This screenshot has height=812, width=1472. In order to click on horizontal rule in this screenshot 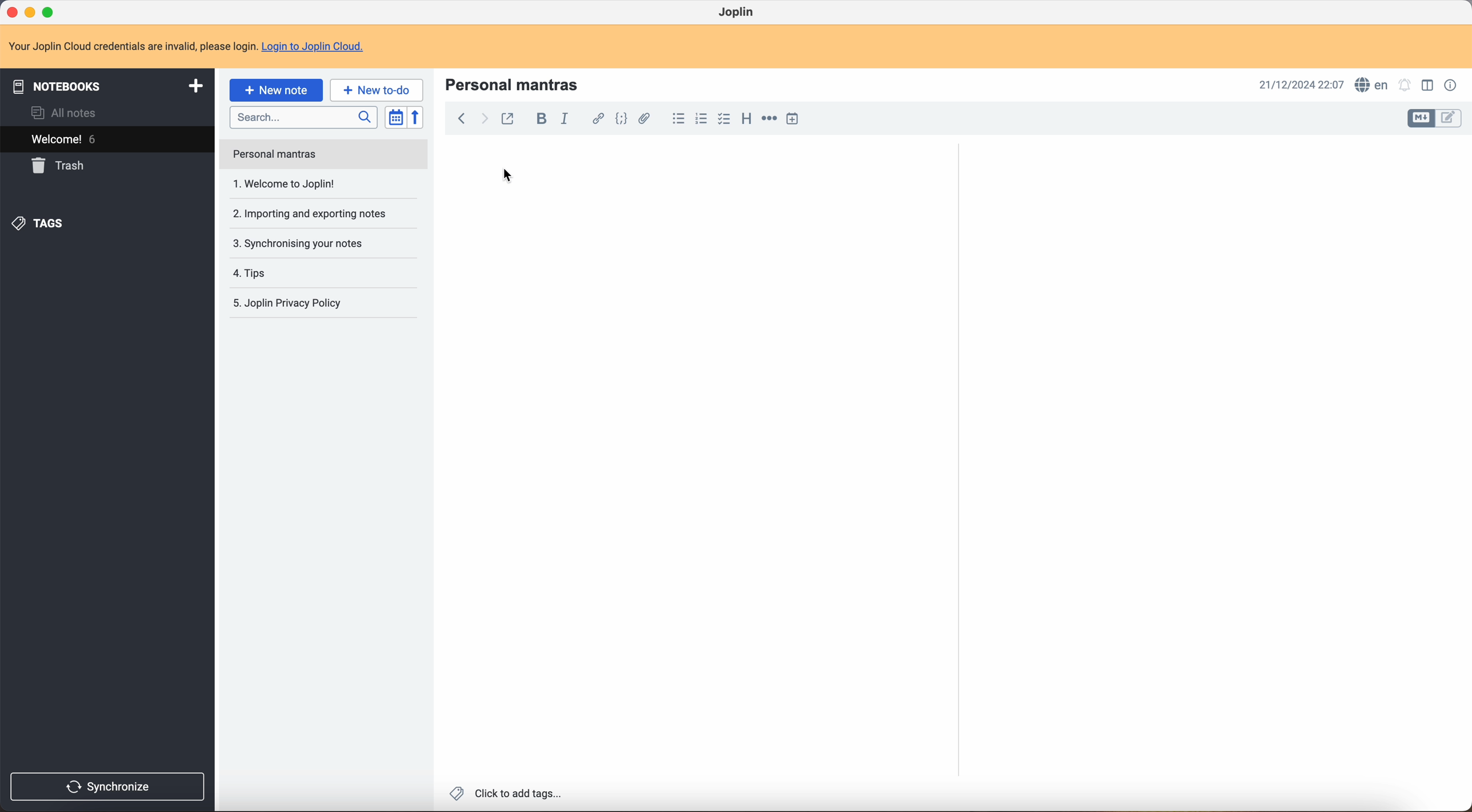, I will do `click(770, 121)`.